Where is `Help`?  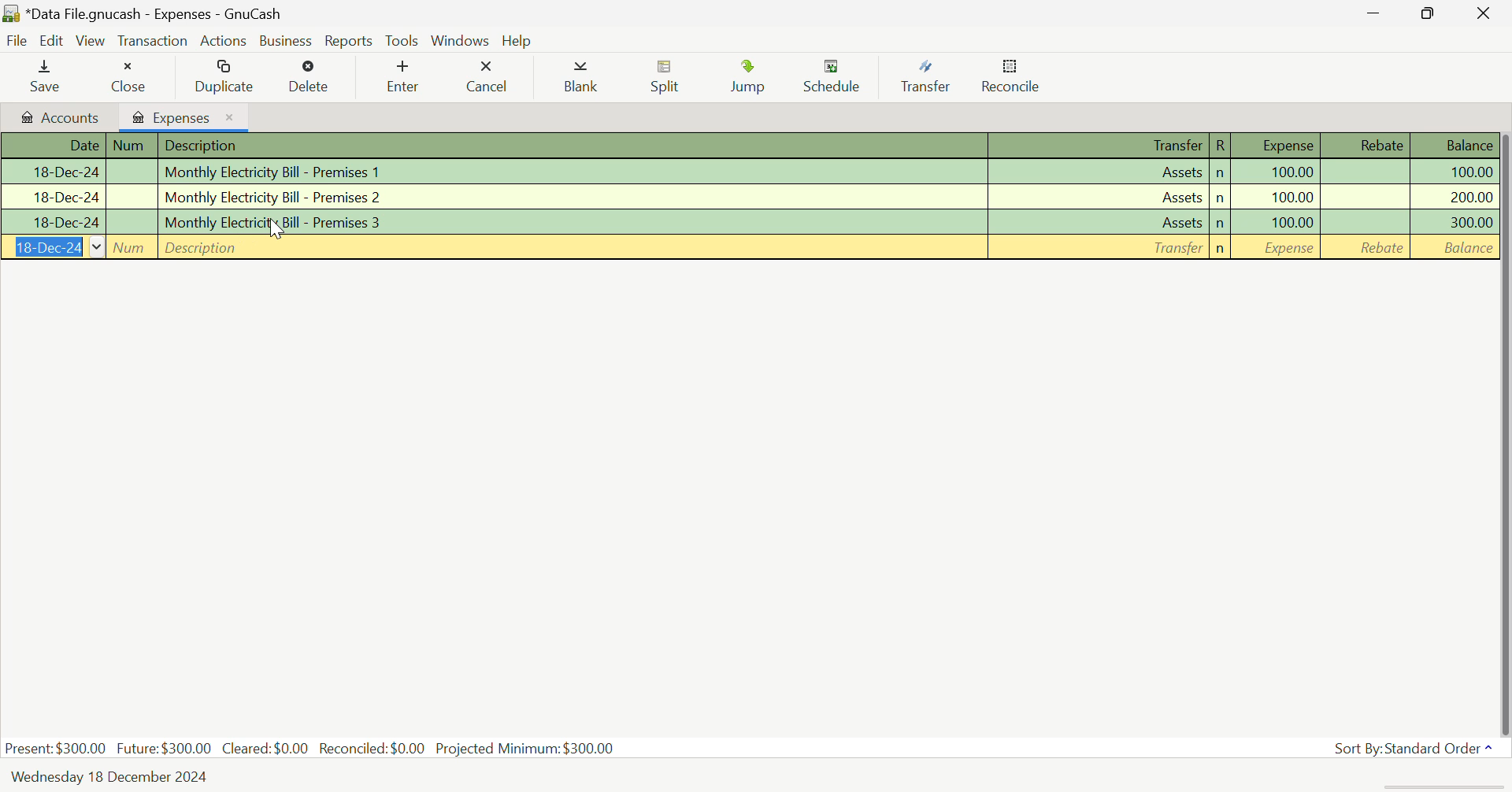 Help is located at coordinates (519, 40).